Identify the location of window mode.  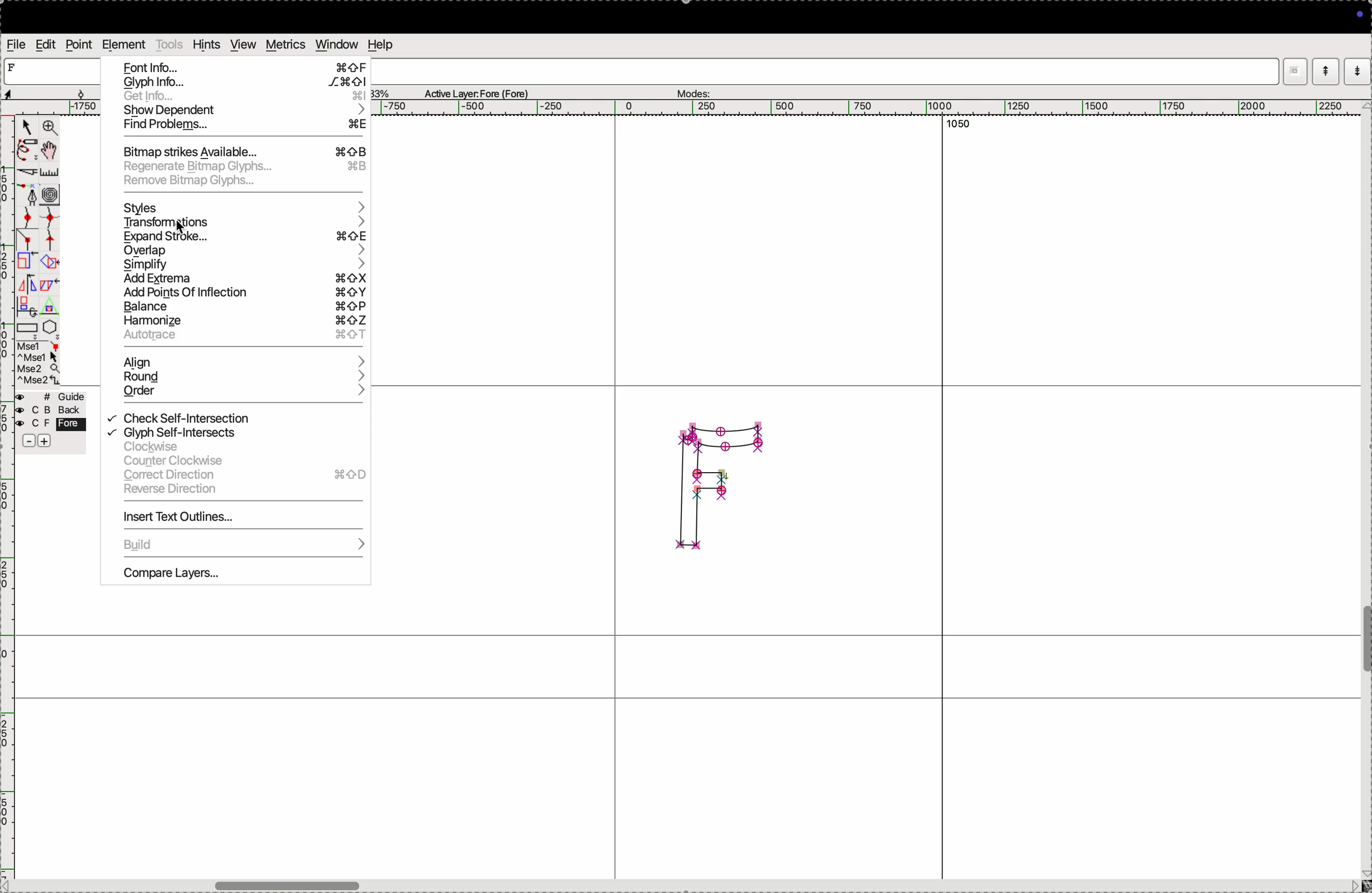
(1295, 73).